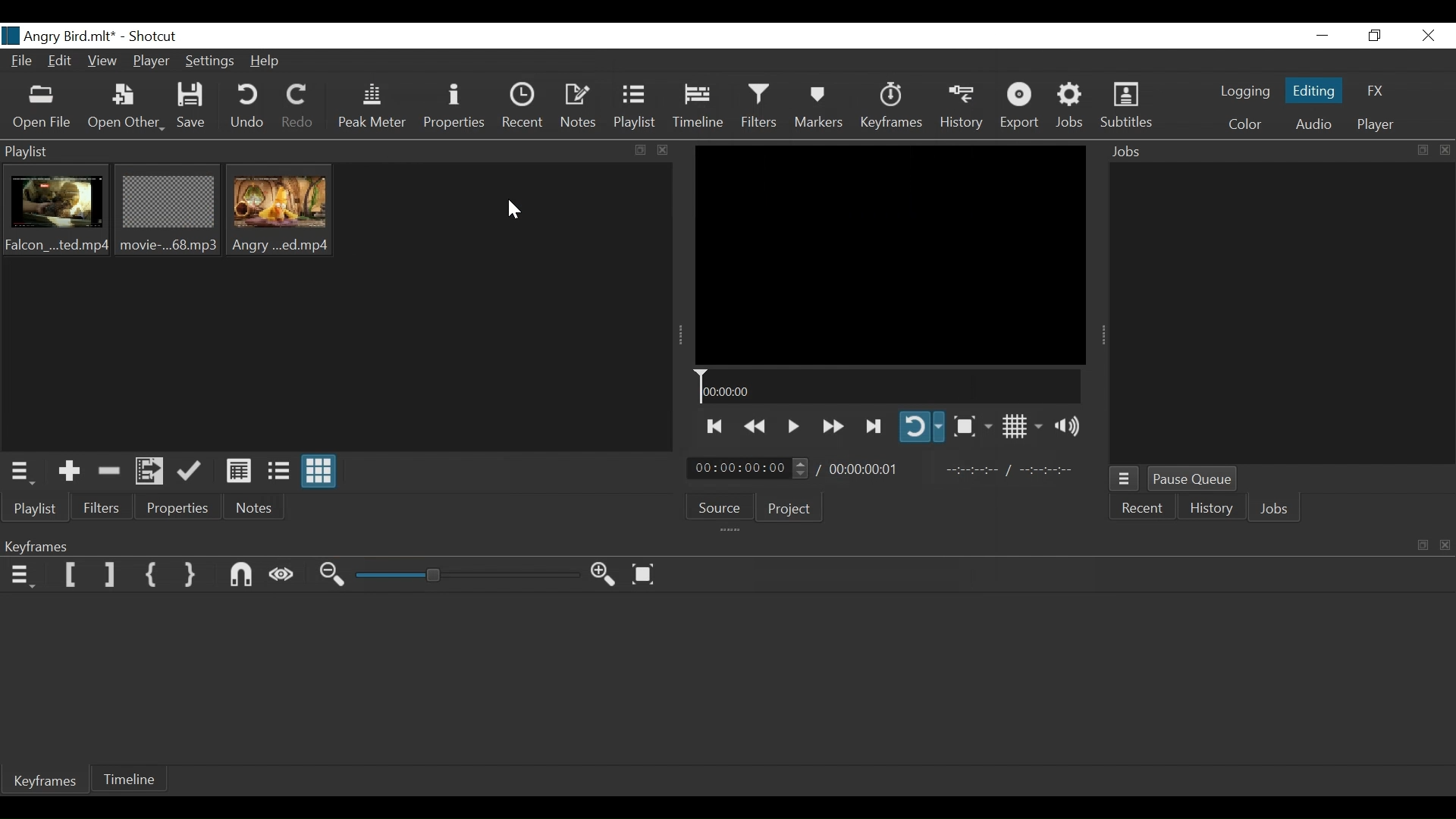 This screenshot has height=819, width=1456. What do you see at coordinates (189, 576) in the screenshot?
I see `Set Second Simple Keyframe` at bounding box center [189, 576].